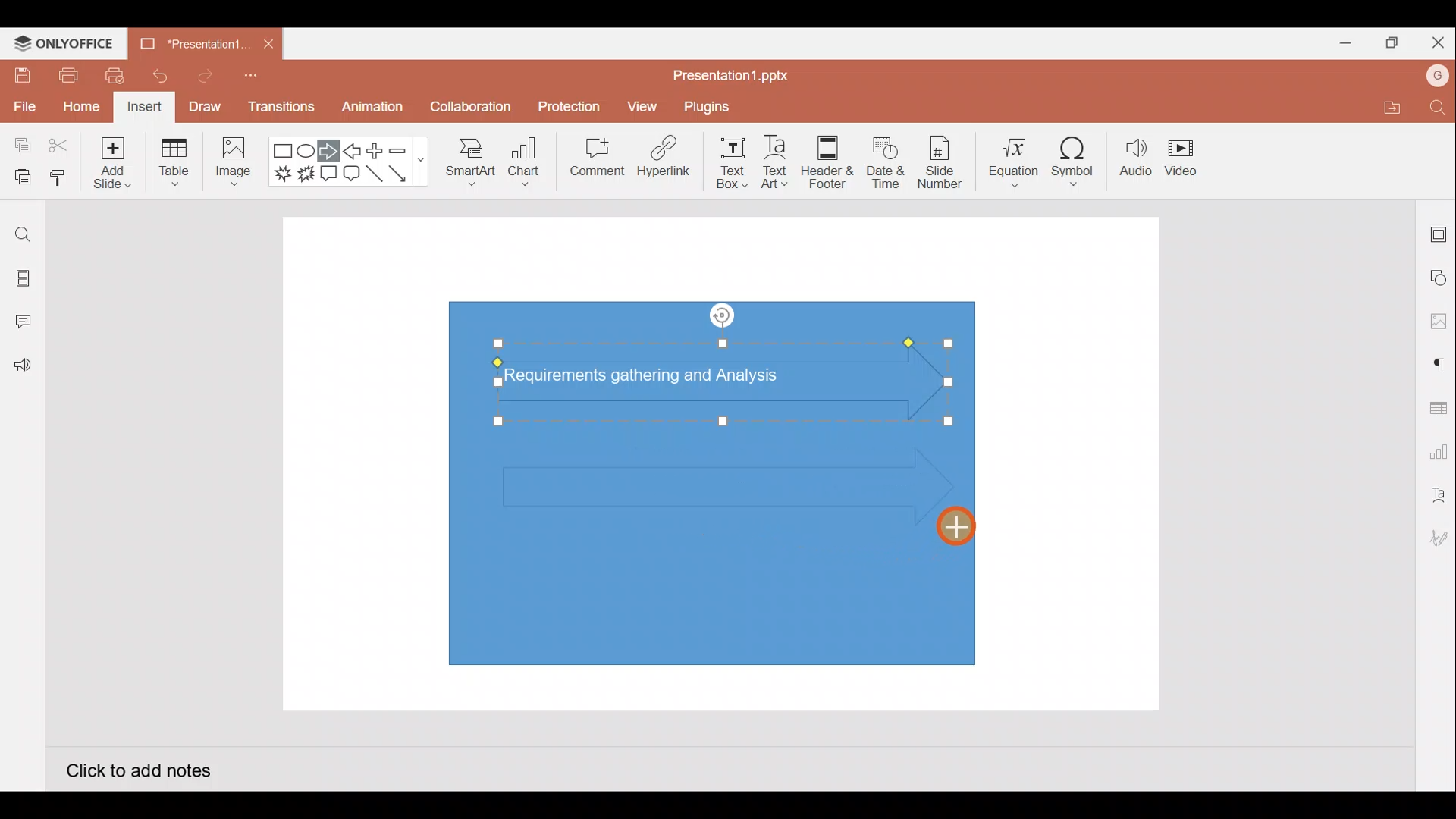  Describe the element at coordinates (1435, 406) in the screenshot. I see `Table settings` at that location.